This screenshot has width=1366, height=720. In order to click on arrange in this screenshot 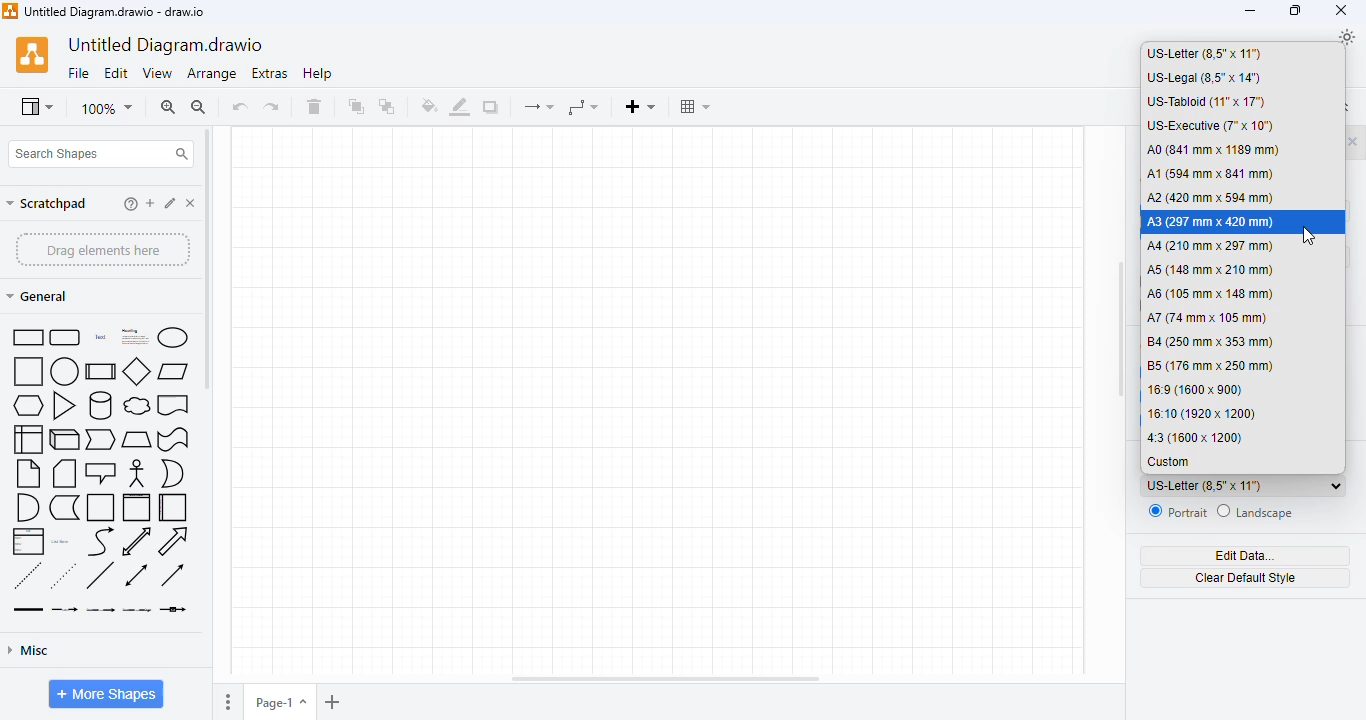, I will do `click(212, 74)`.